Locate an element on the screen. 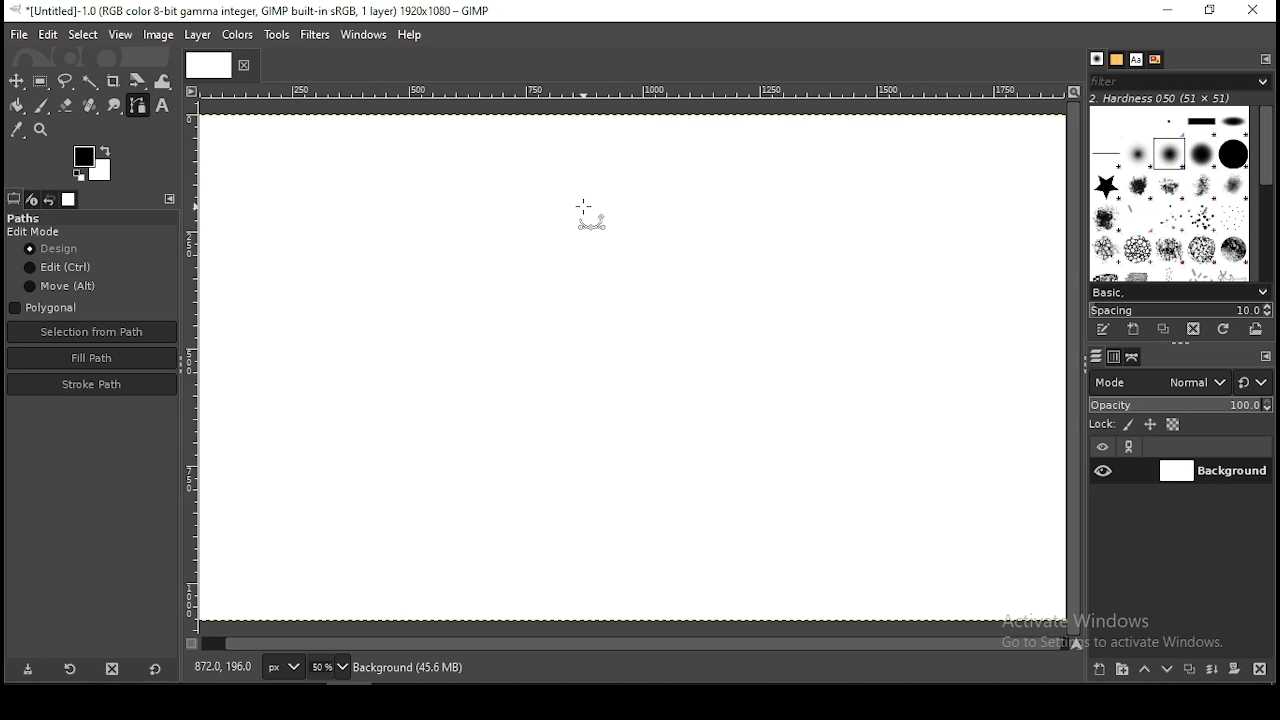  configure this tab is located at coordinates (1262, 60).